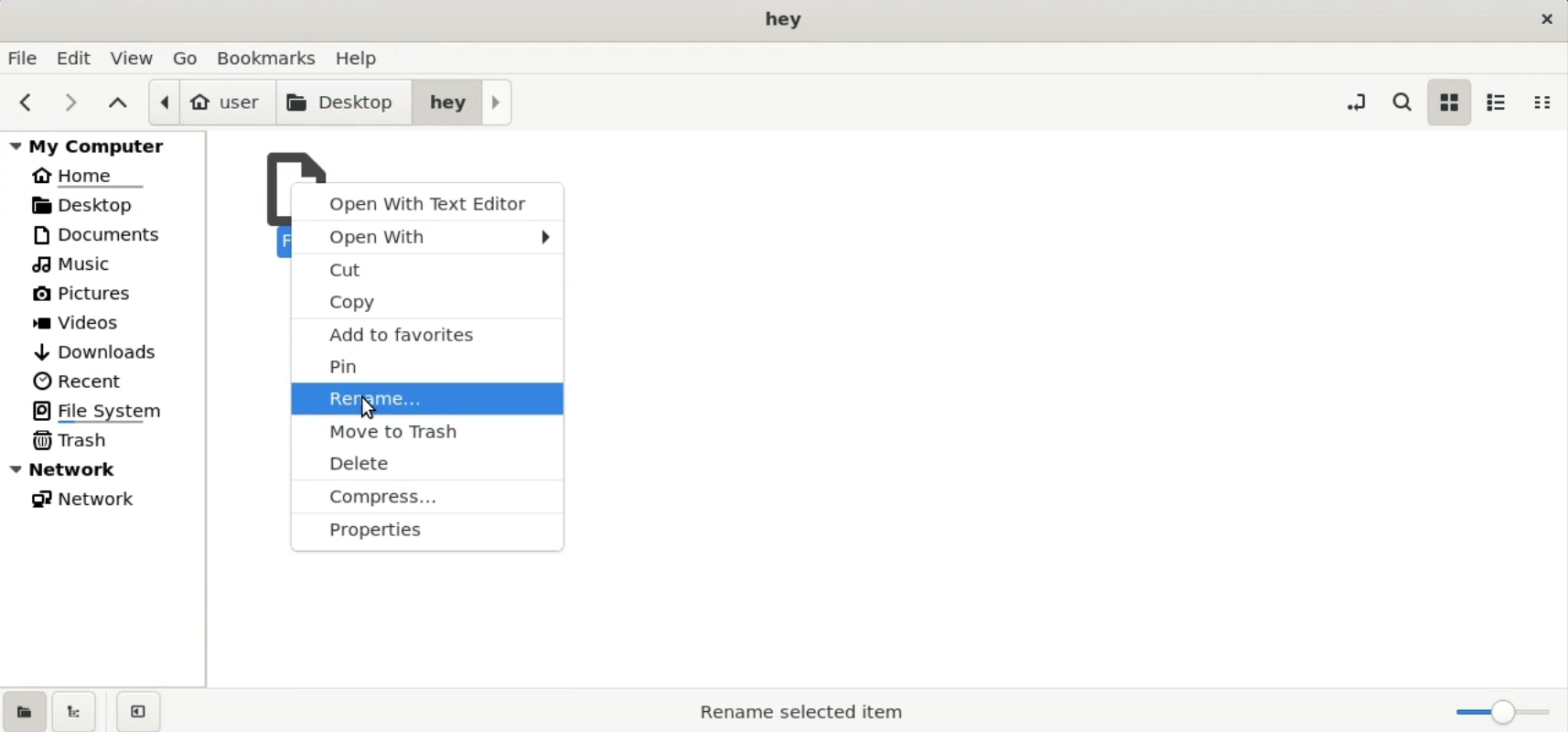 This screenshot has height=732, width=1568. What do you see at coordinates (98, 350) in the screenshot?
I see `downloads` at bounding box center [98, 350].